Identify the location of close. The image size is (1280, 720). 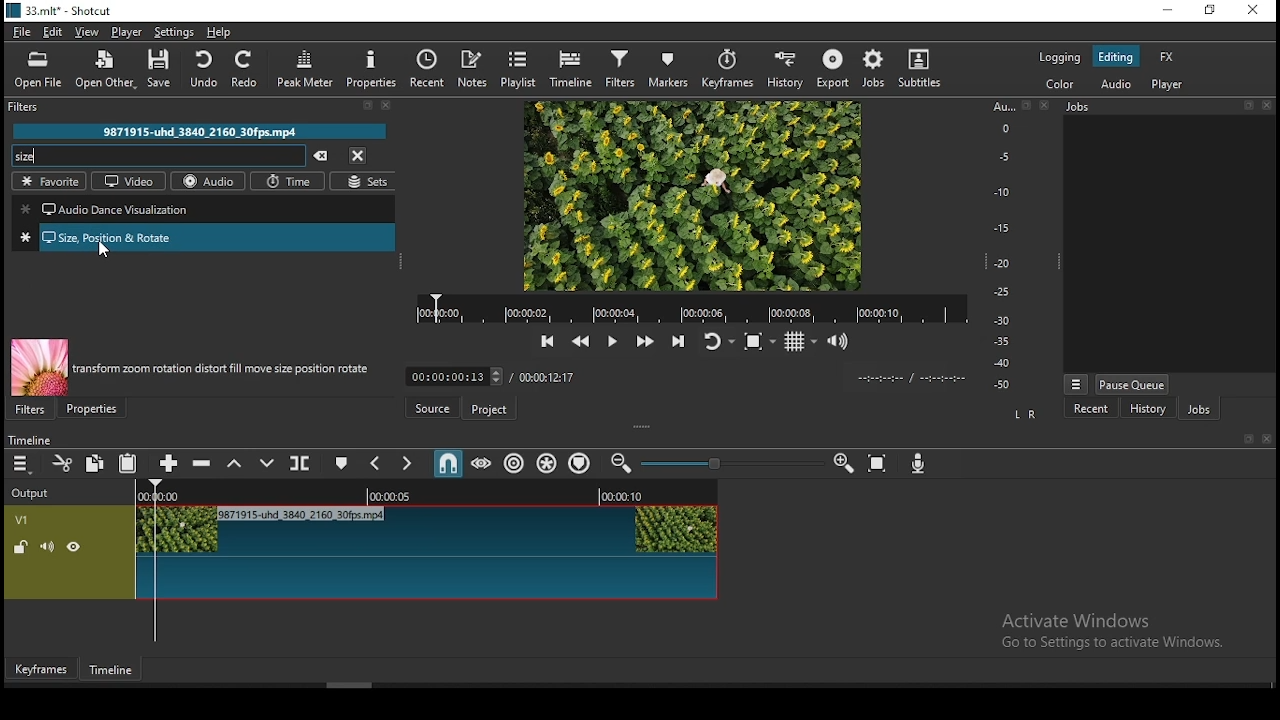
(1267, 105).